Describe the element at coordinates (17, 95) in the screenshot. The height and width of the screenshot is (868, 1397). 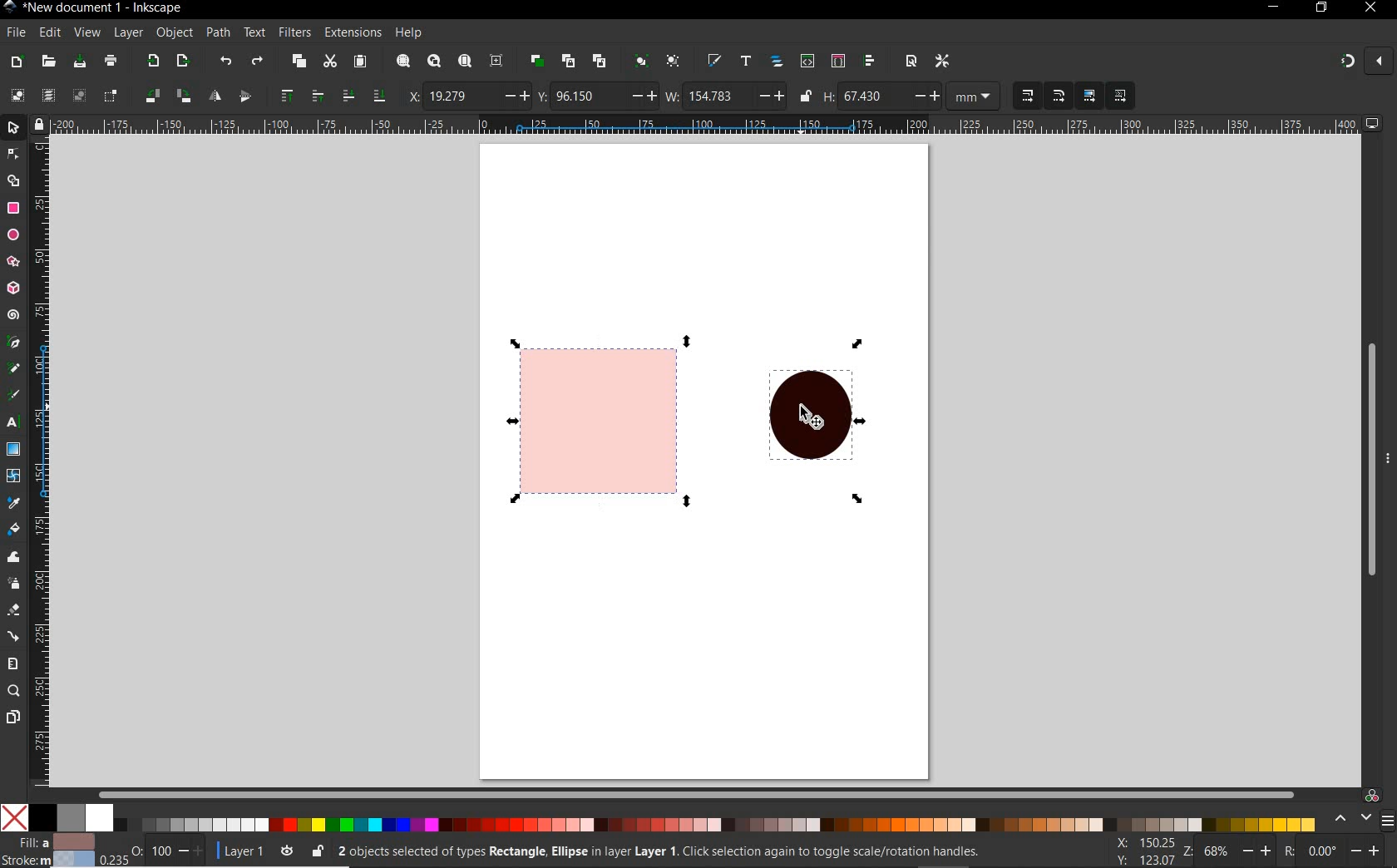
I see `select all` at that location.